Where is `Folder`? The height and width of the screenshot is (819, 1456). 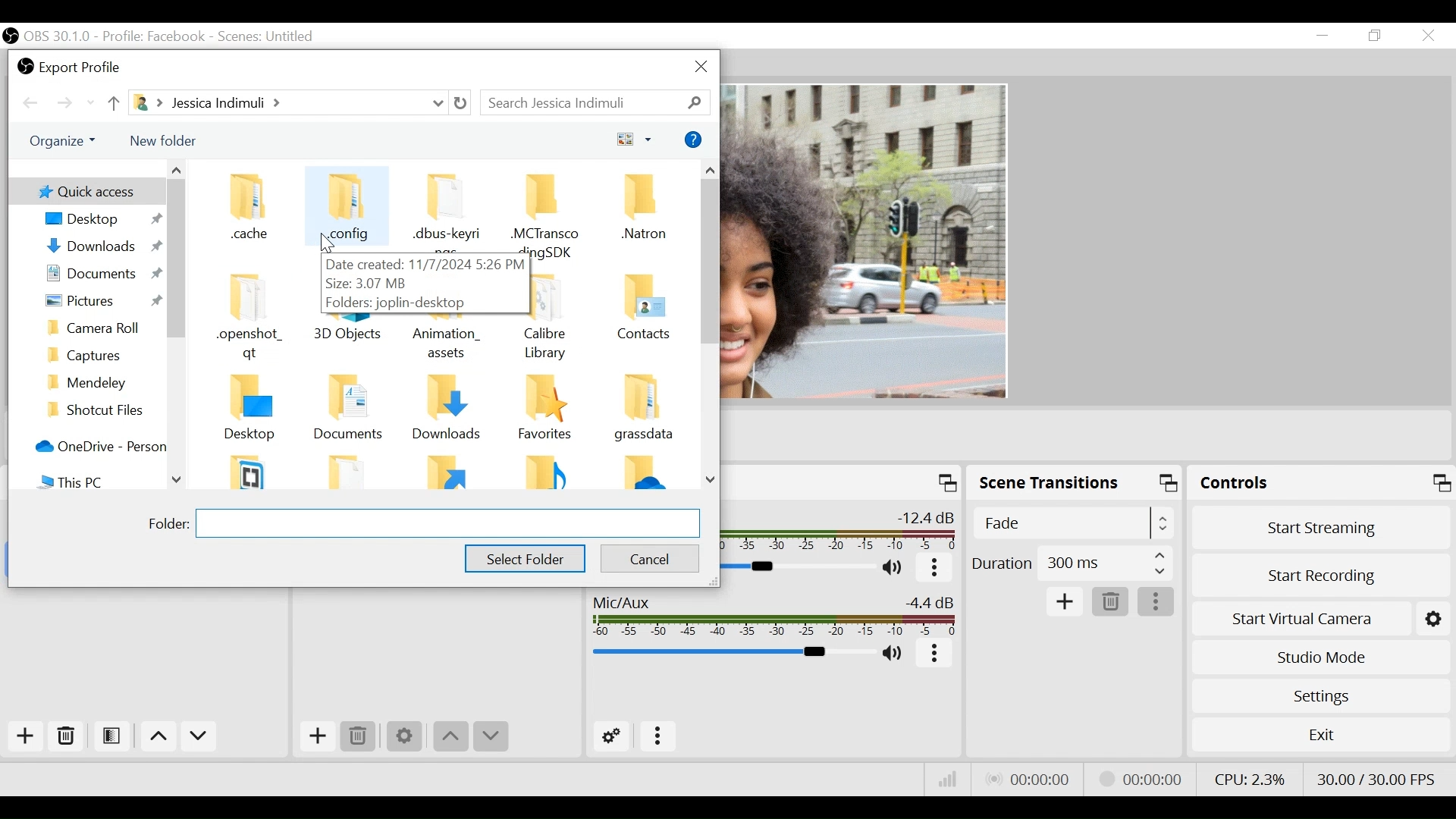 Folder is located at coordinates (354, 412).